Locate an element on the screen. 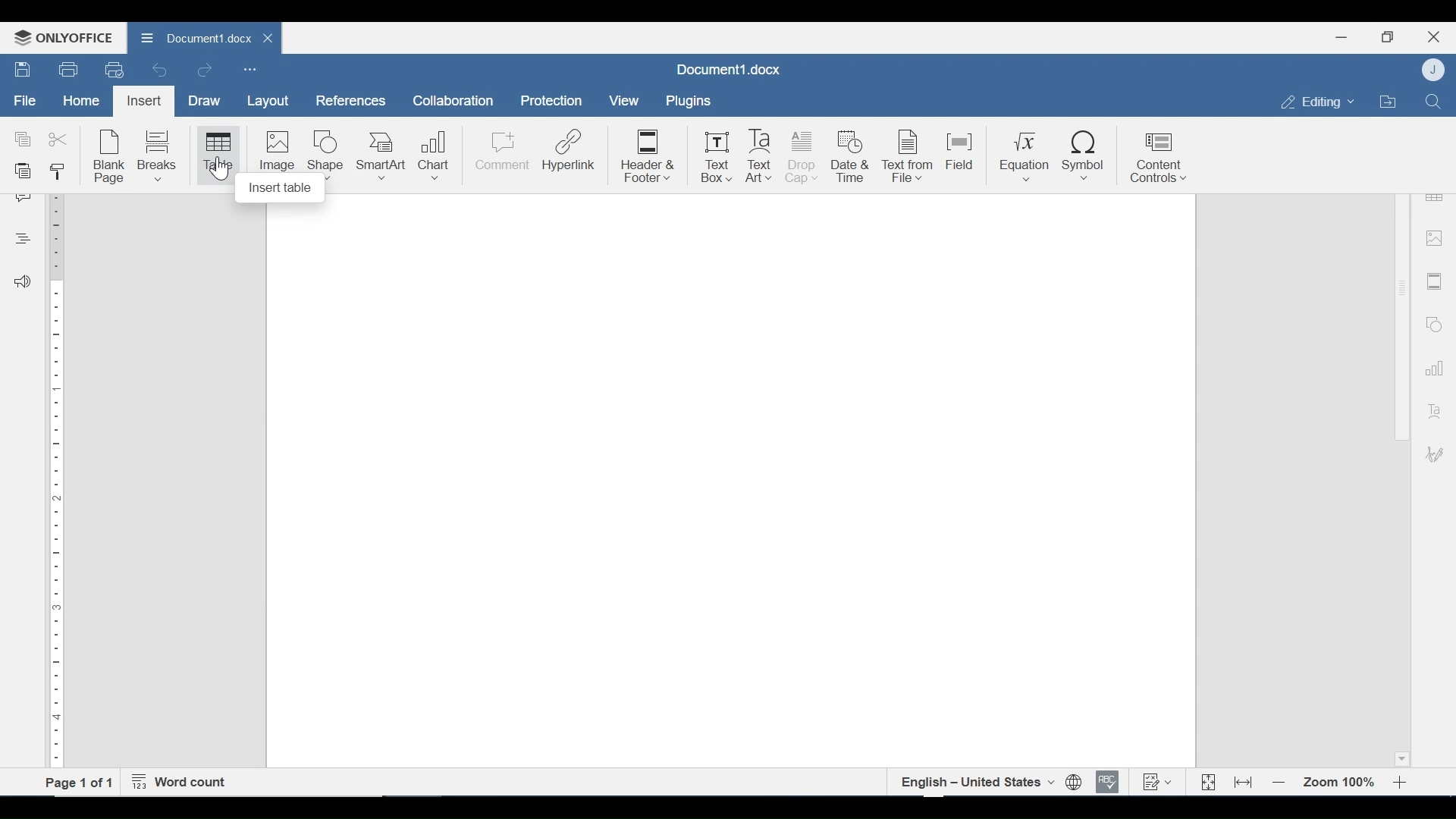  Shapes is located at coordinates (1432, 322).